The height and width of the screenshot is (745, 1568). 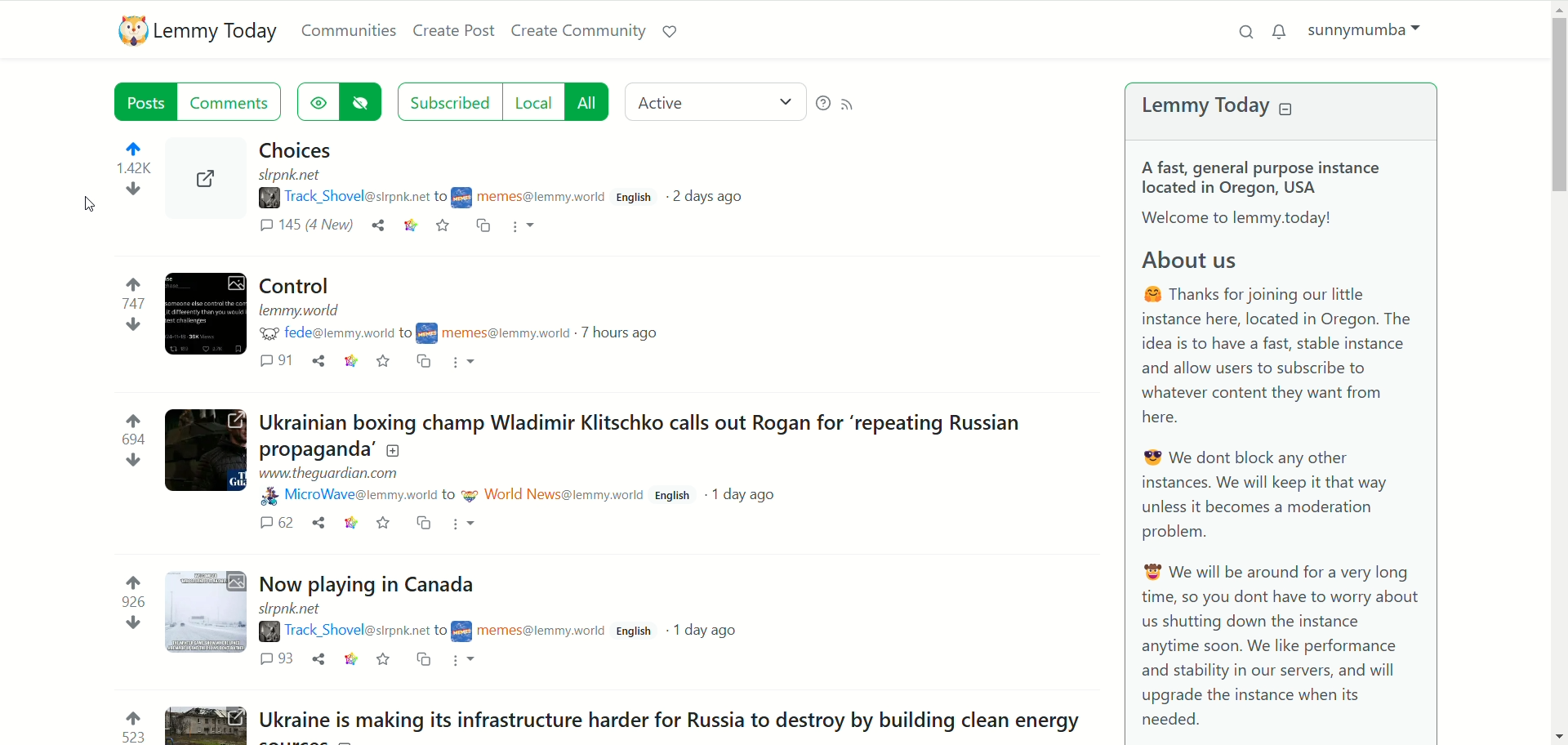 What do you see at coordinates (133, 716) in the screenshot?
I see `upvote` at bounding box center [133, 716].